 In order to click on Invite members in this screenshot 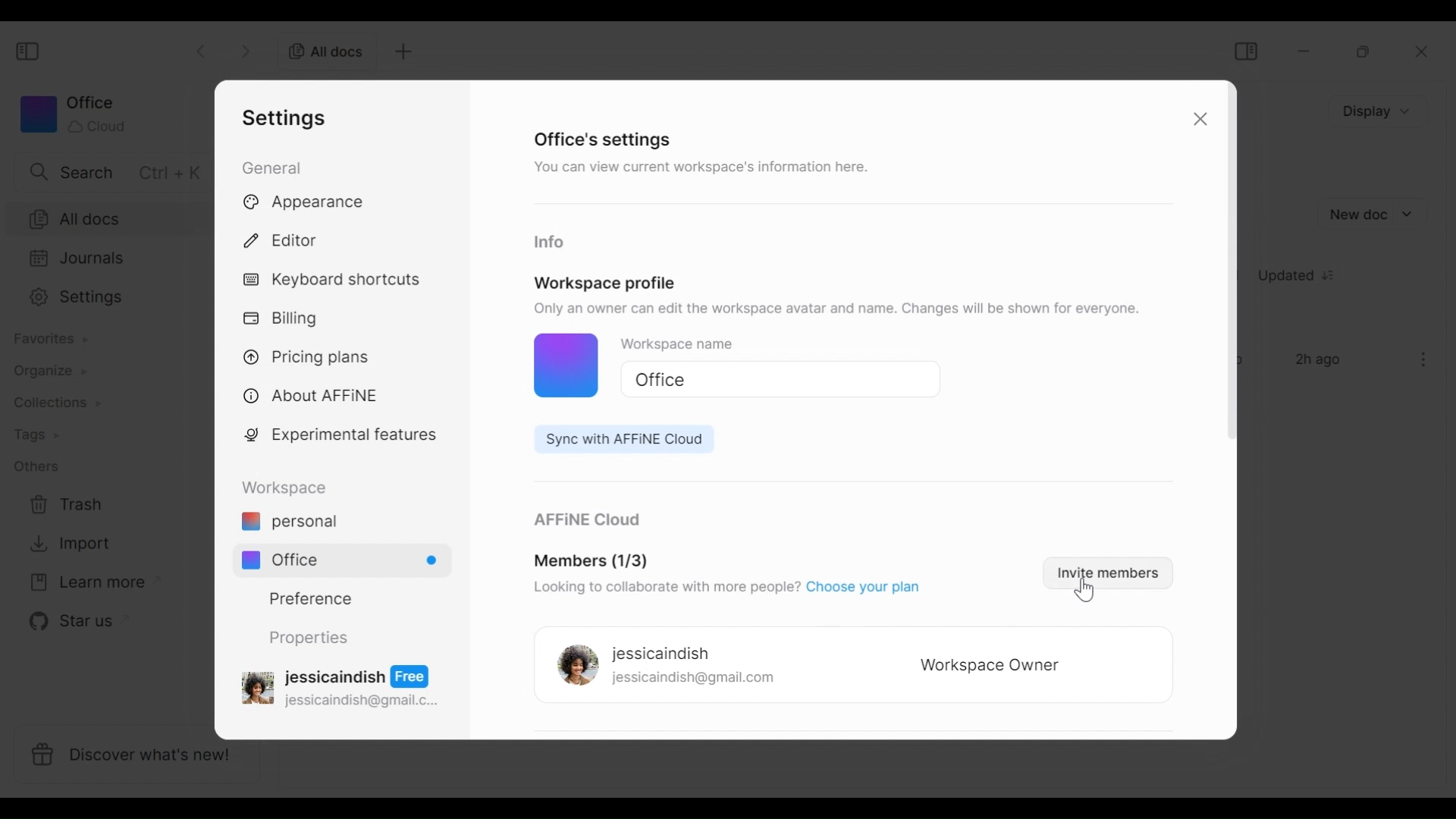, I will do `click(1104, 572)`.